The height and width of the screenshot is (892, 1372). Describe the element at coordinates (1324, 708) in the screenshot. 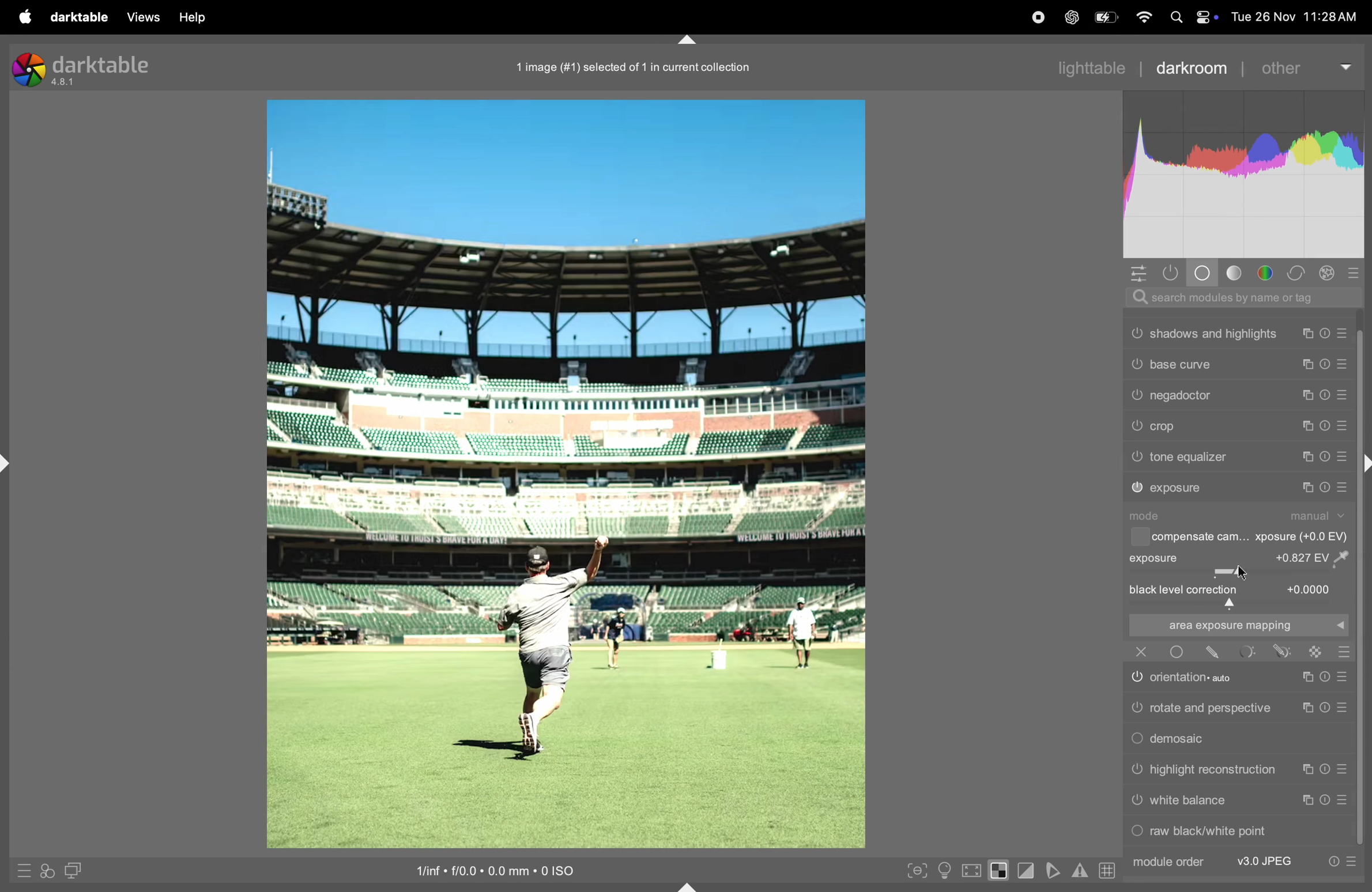

I see `reset Preset` at that location.